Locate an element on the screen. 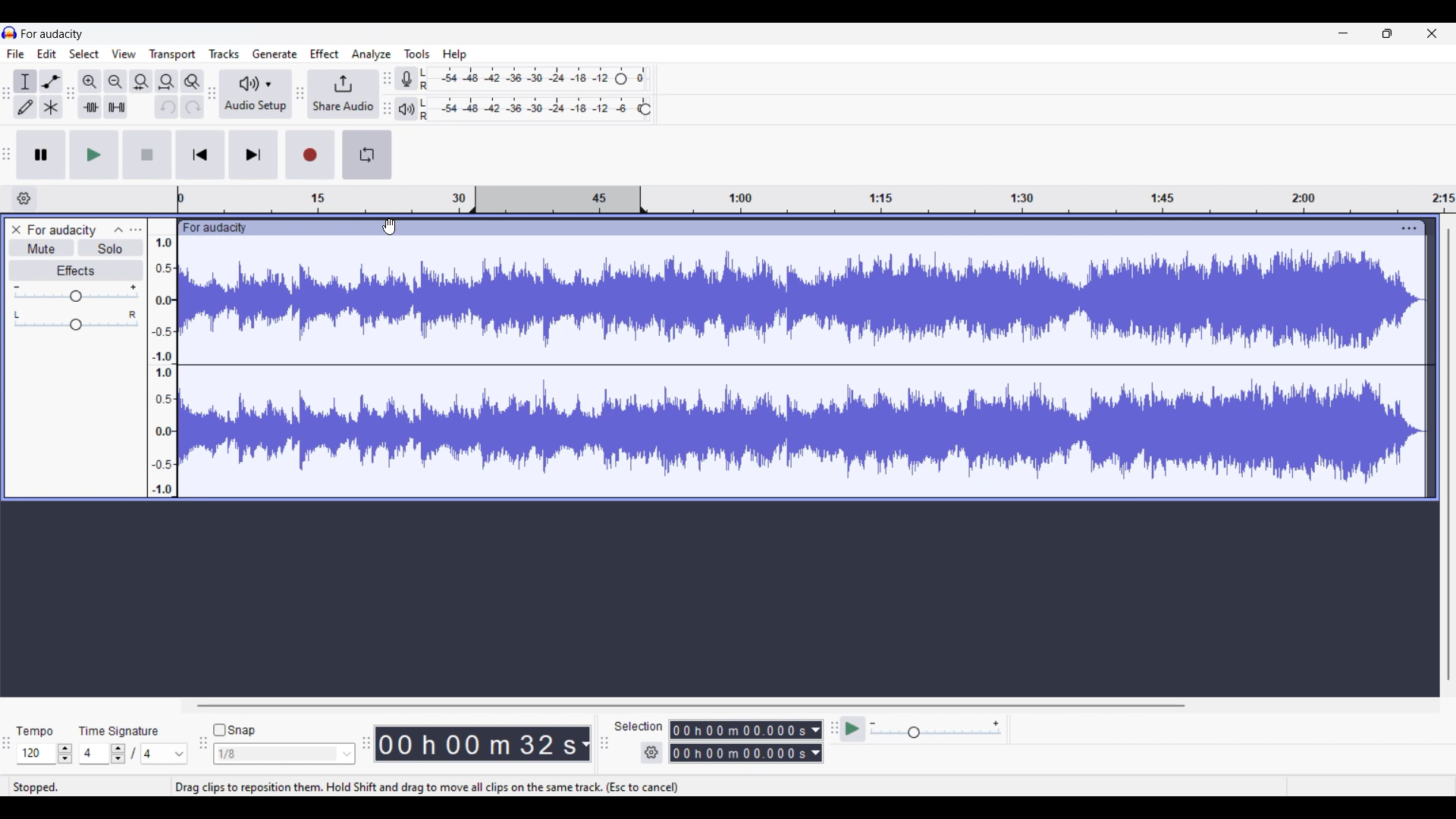  Volume scale is located at coordinates (75, 293).